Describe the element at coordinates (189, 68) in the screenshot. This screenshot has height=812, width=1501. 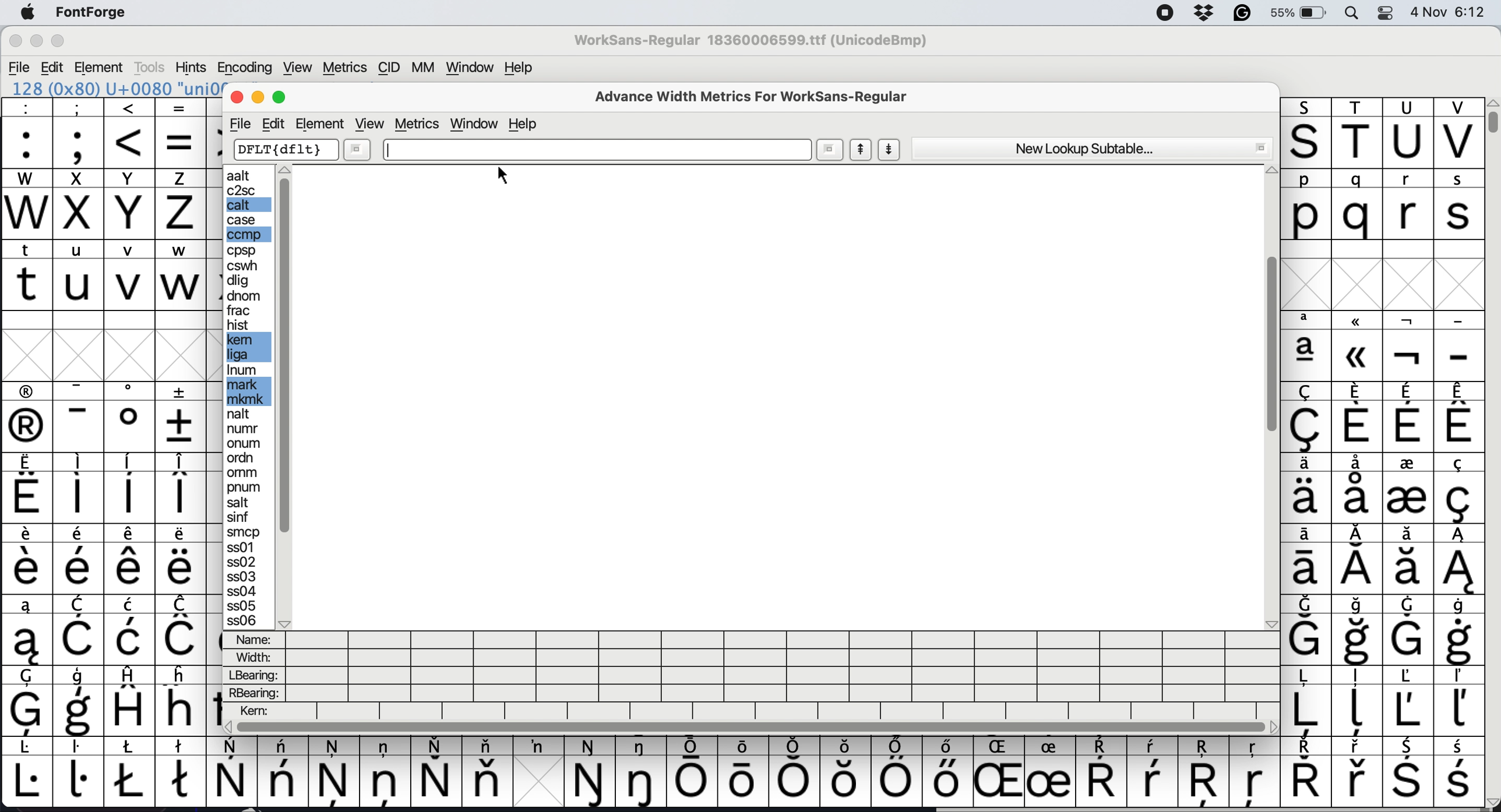
I see `Hints` at that location.